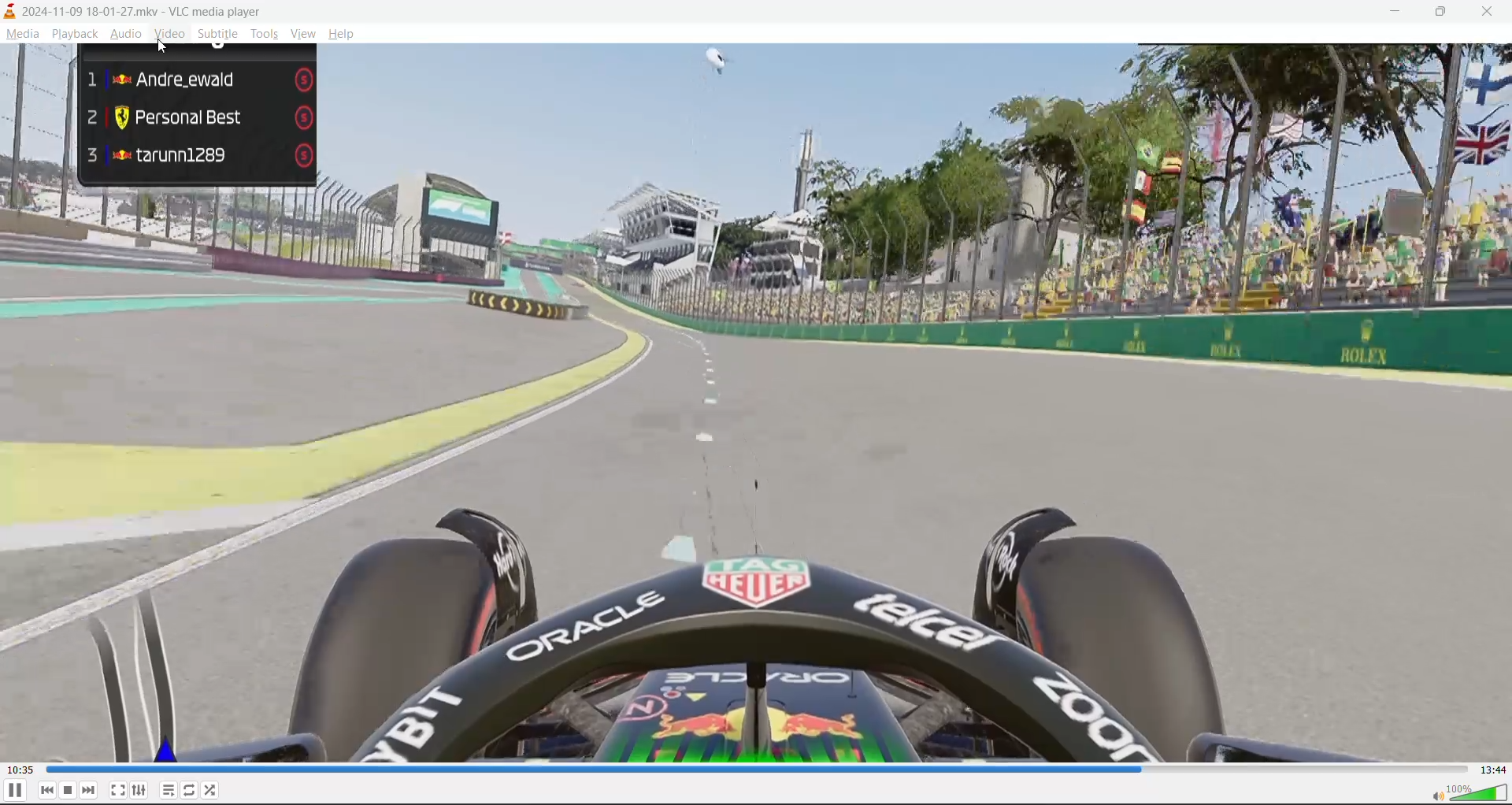 This screenshot has width=1512, height=805. I want to click on cursor, so click(165, 47).